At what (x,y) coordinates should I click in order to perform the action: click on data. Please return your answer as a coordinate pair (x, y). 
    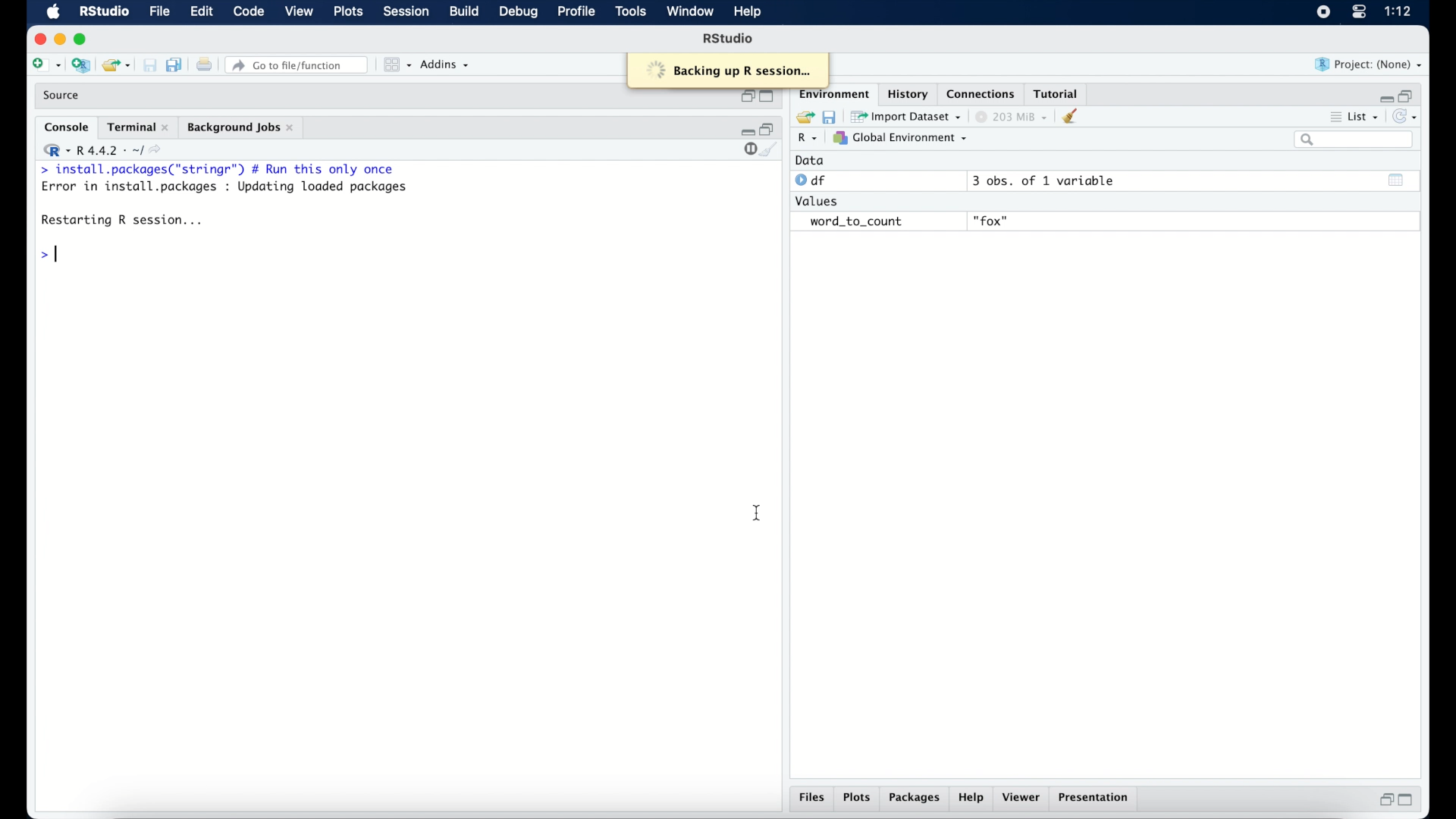
    Looking at the image, I should click on (810, 160).